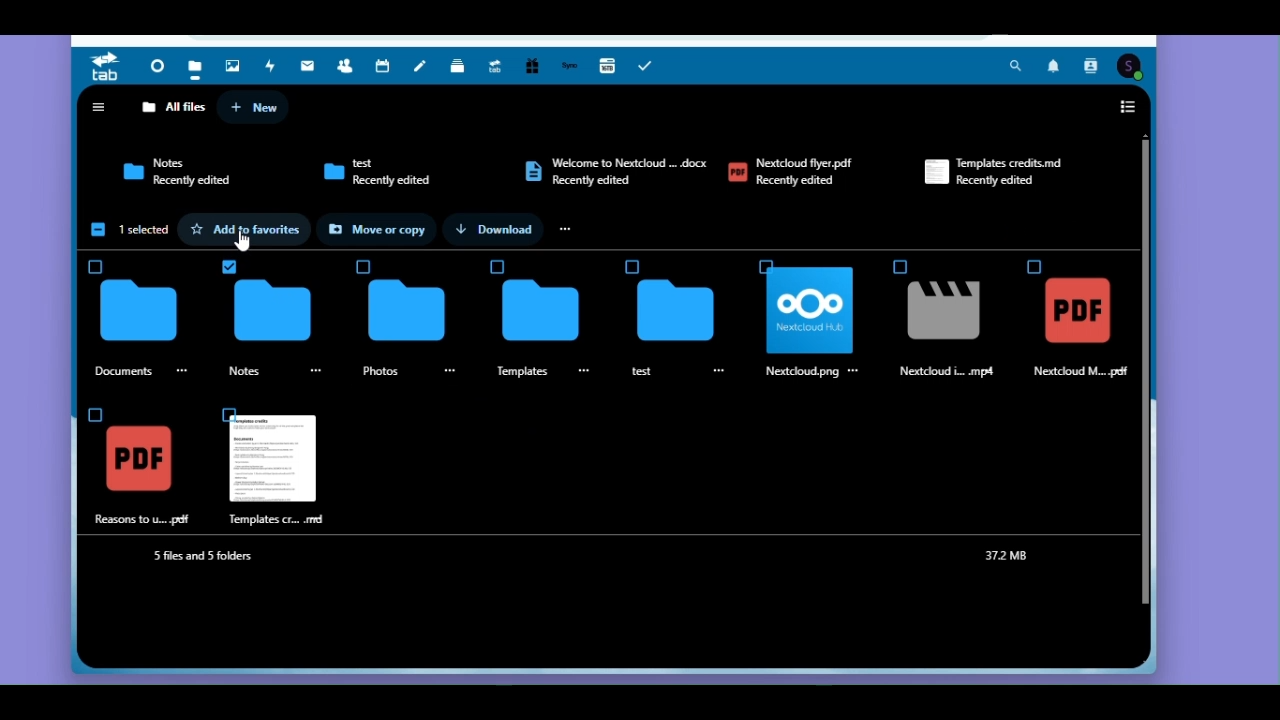  I want to click on Icon, so click(274, 311).